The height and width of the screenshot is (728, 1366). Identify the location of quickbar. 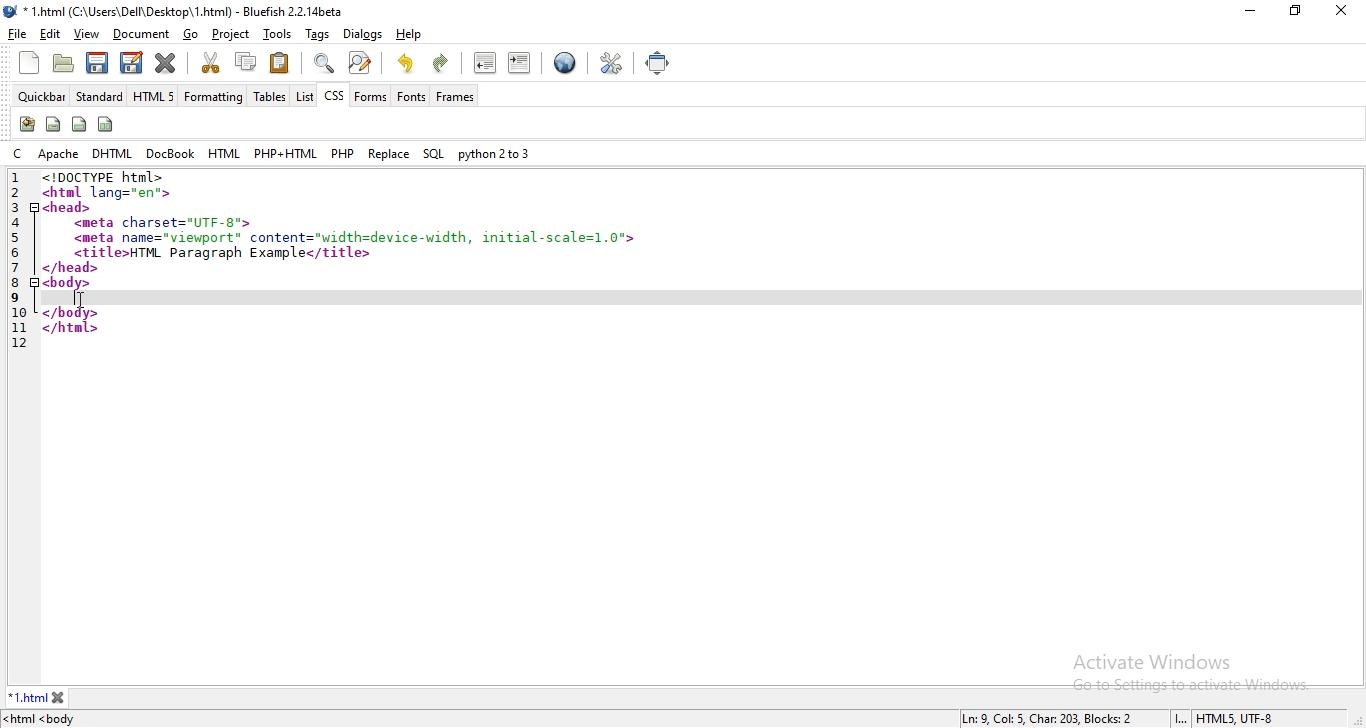
(40, 97).